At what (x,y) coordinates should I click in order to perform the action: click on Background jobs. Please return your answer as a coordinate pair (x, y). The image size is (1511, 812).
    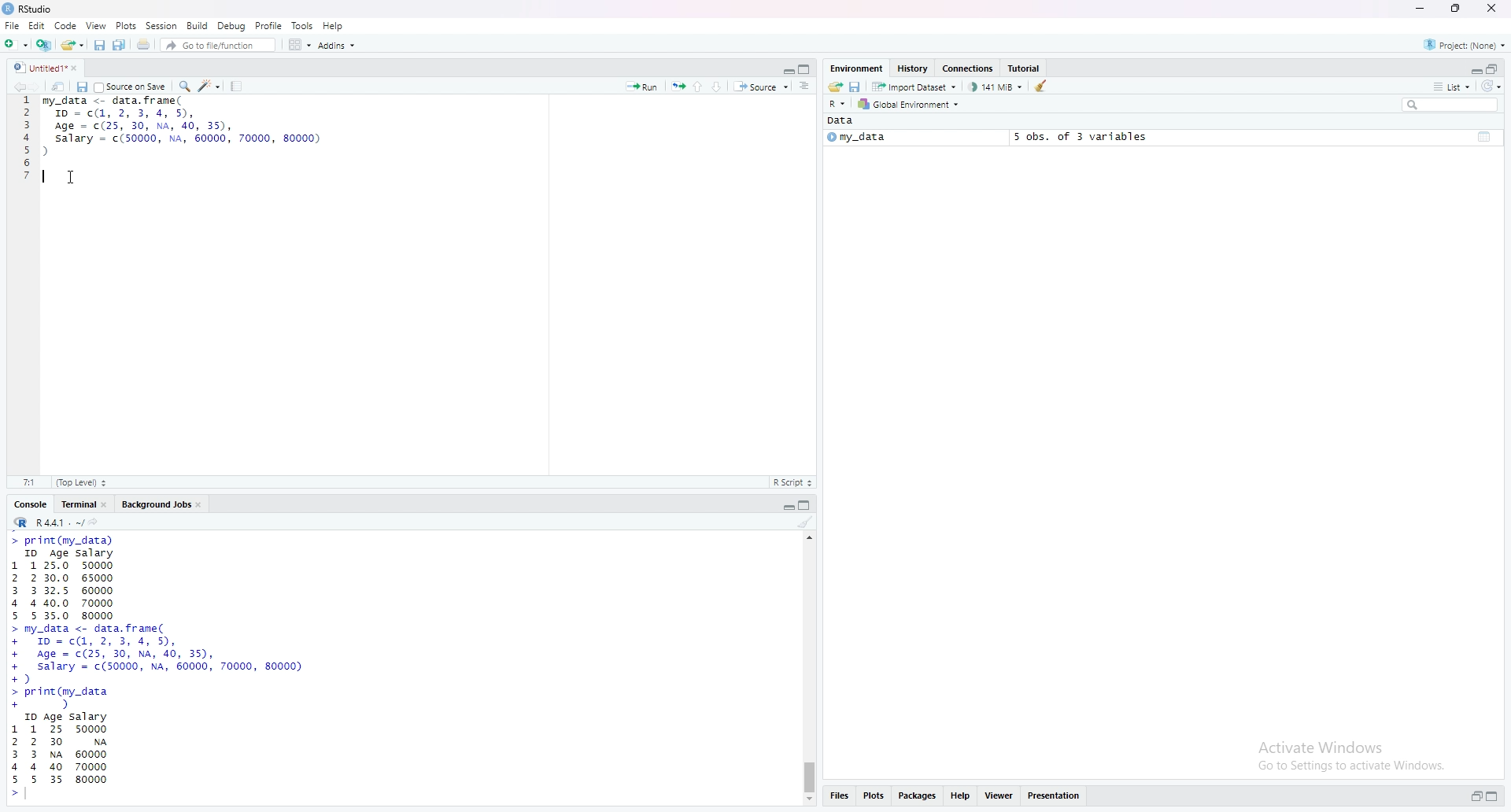
    Looking at the image, I should click on (164, 506).